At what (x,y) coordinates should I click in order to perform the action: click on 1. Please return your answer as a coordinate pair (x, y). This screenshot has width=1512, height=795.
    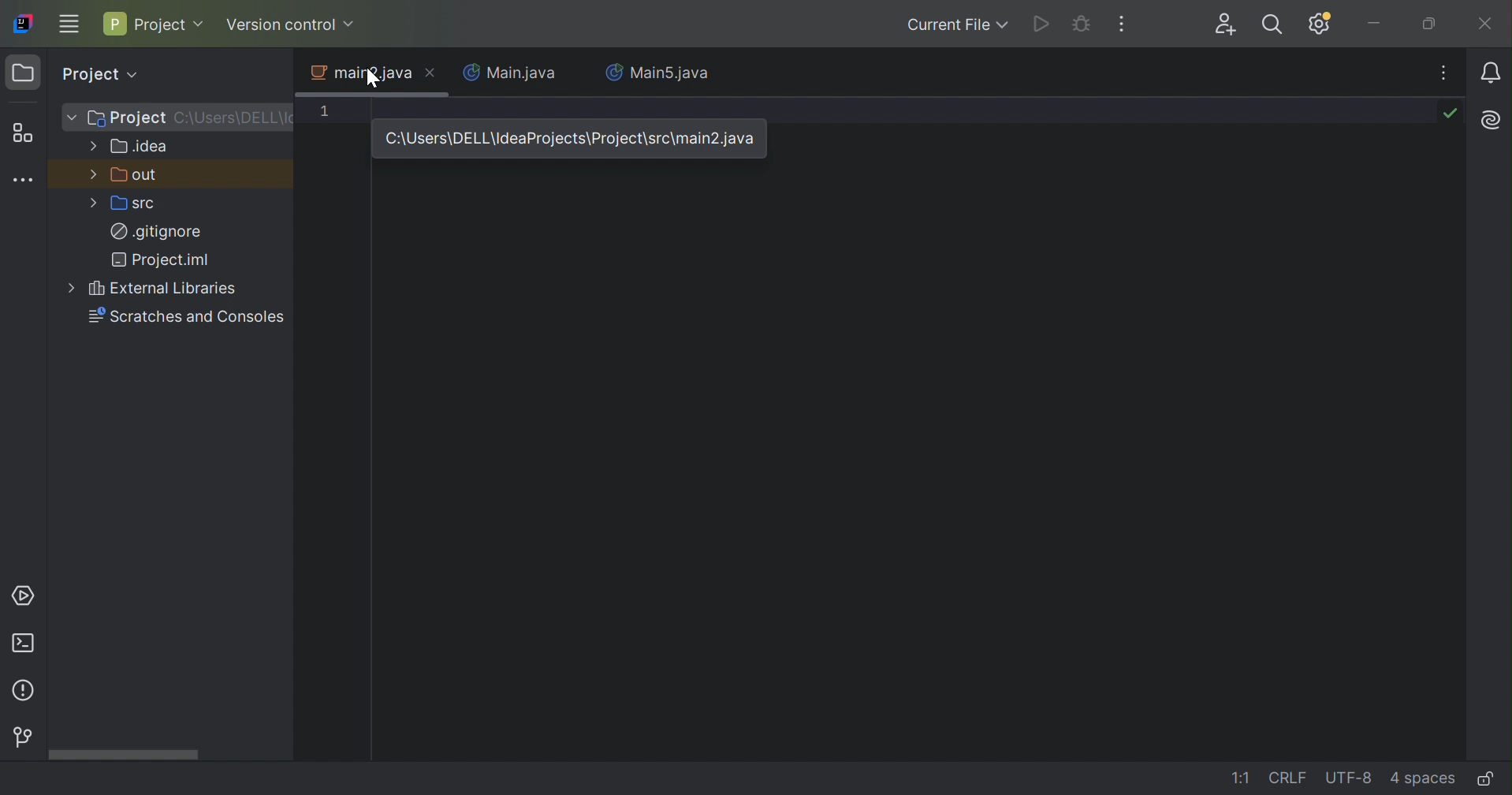
    Looking at the image, I should click on (332, 114).